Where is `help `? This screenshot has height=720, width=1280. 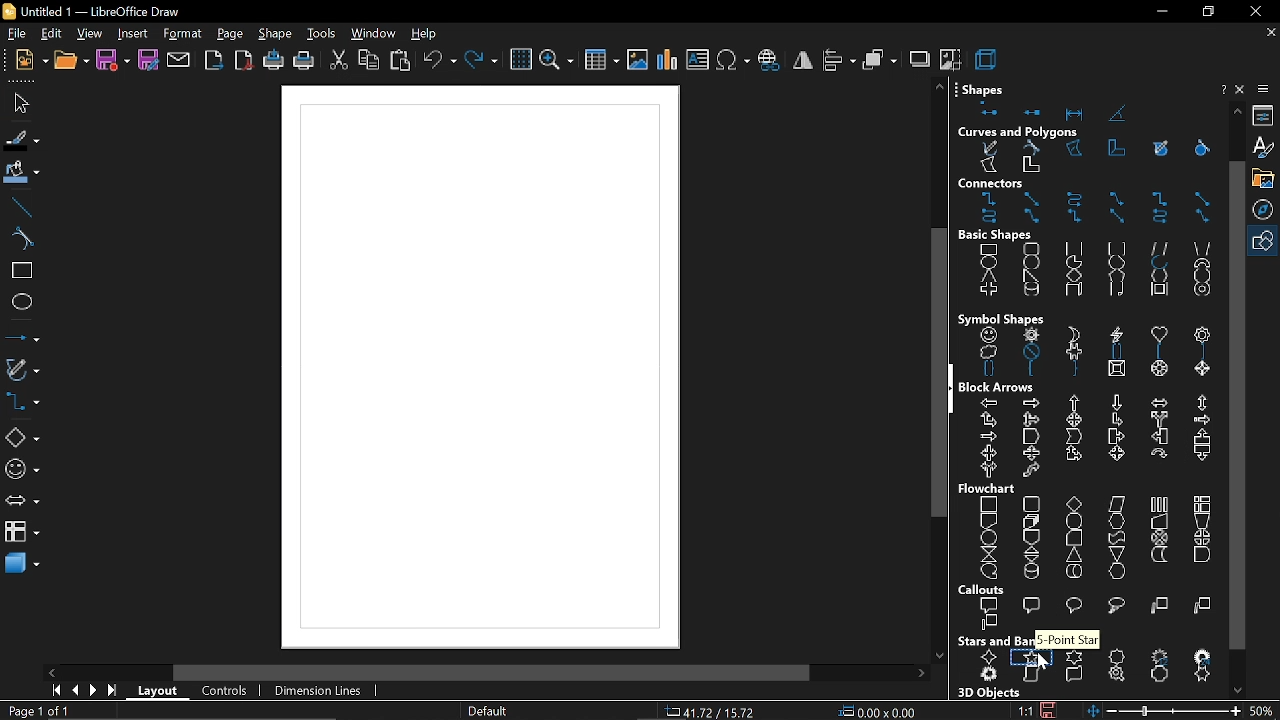
help  is located at coordinates (1222, 89).